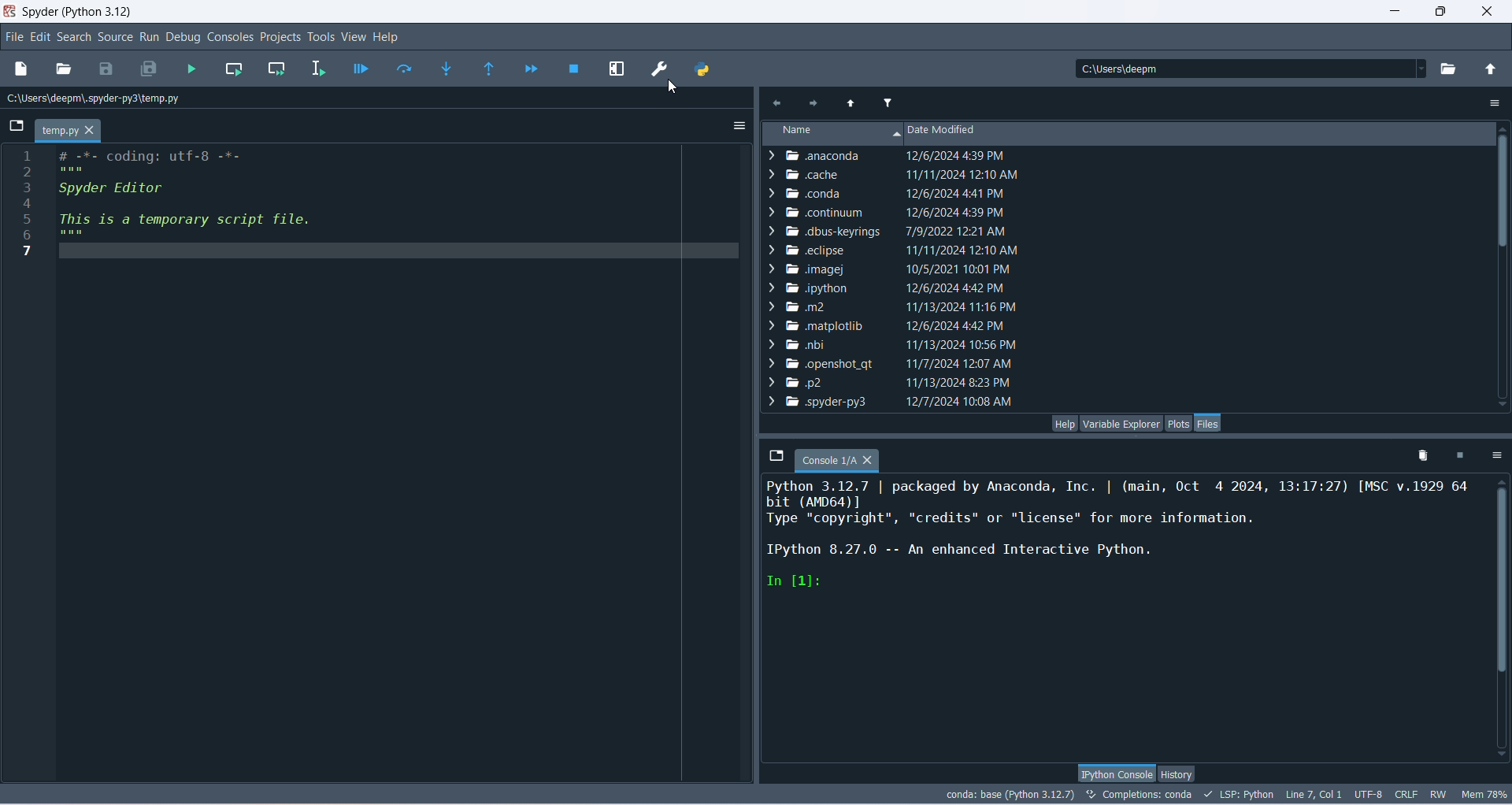  I want to click on tools, so click(321, 38).